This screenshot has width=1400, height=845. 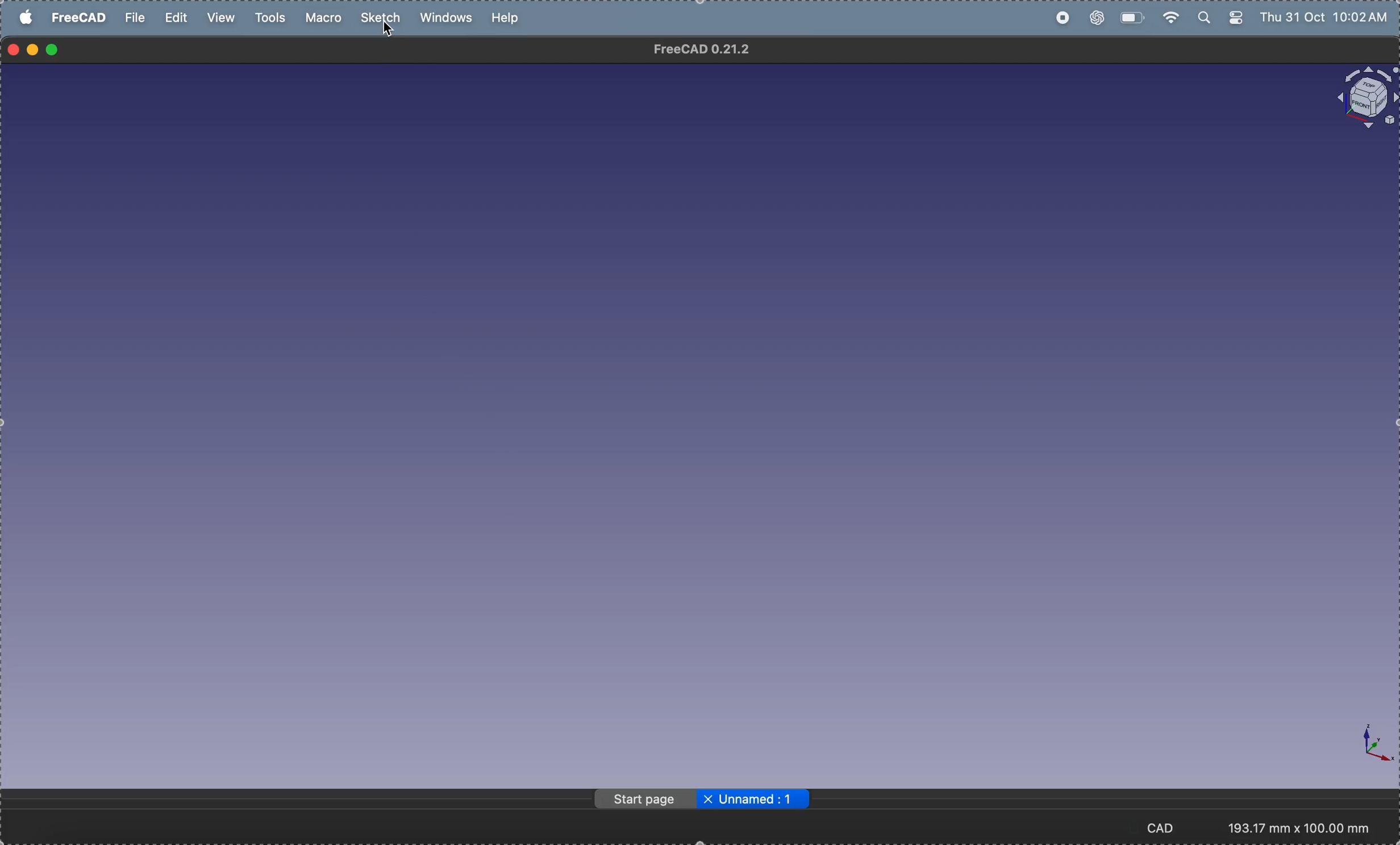 I want to click on apple widgets, so click(x=1222, y=18).